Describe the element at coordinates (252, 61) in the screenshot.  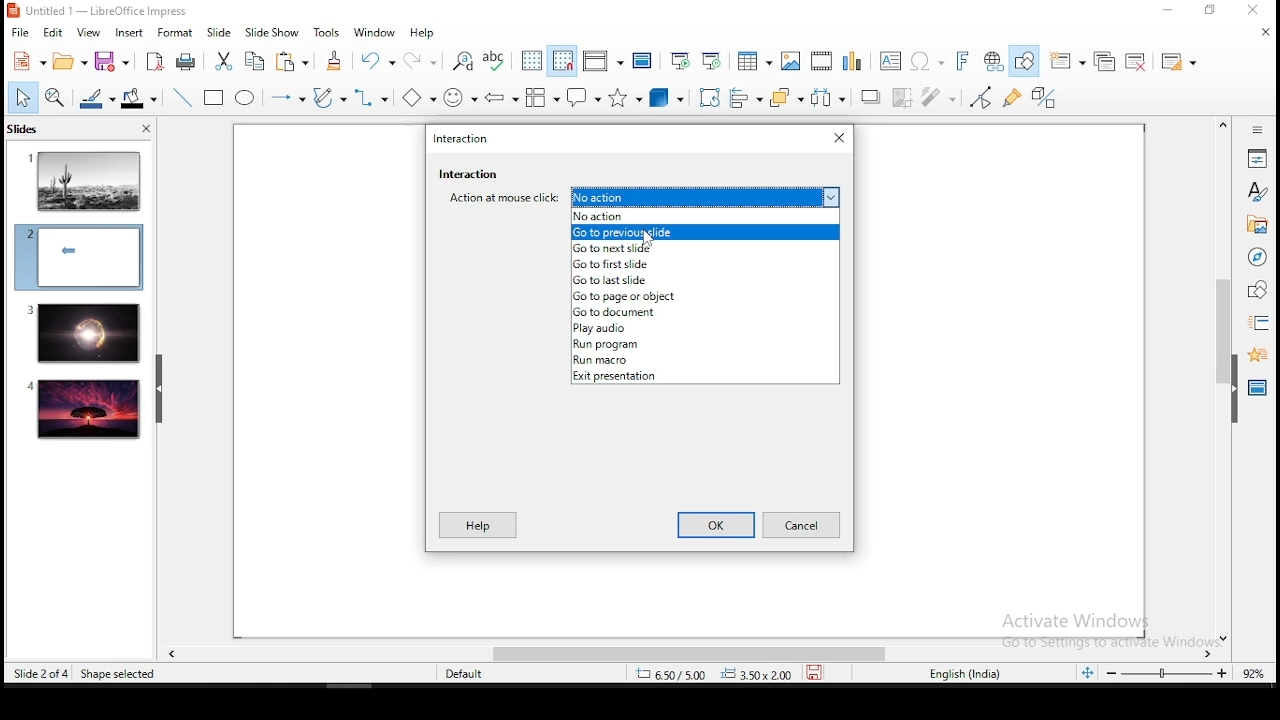
I see `copy` at that location.